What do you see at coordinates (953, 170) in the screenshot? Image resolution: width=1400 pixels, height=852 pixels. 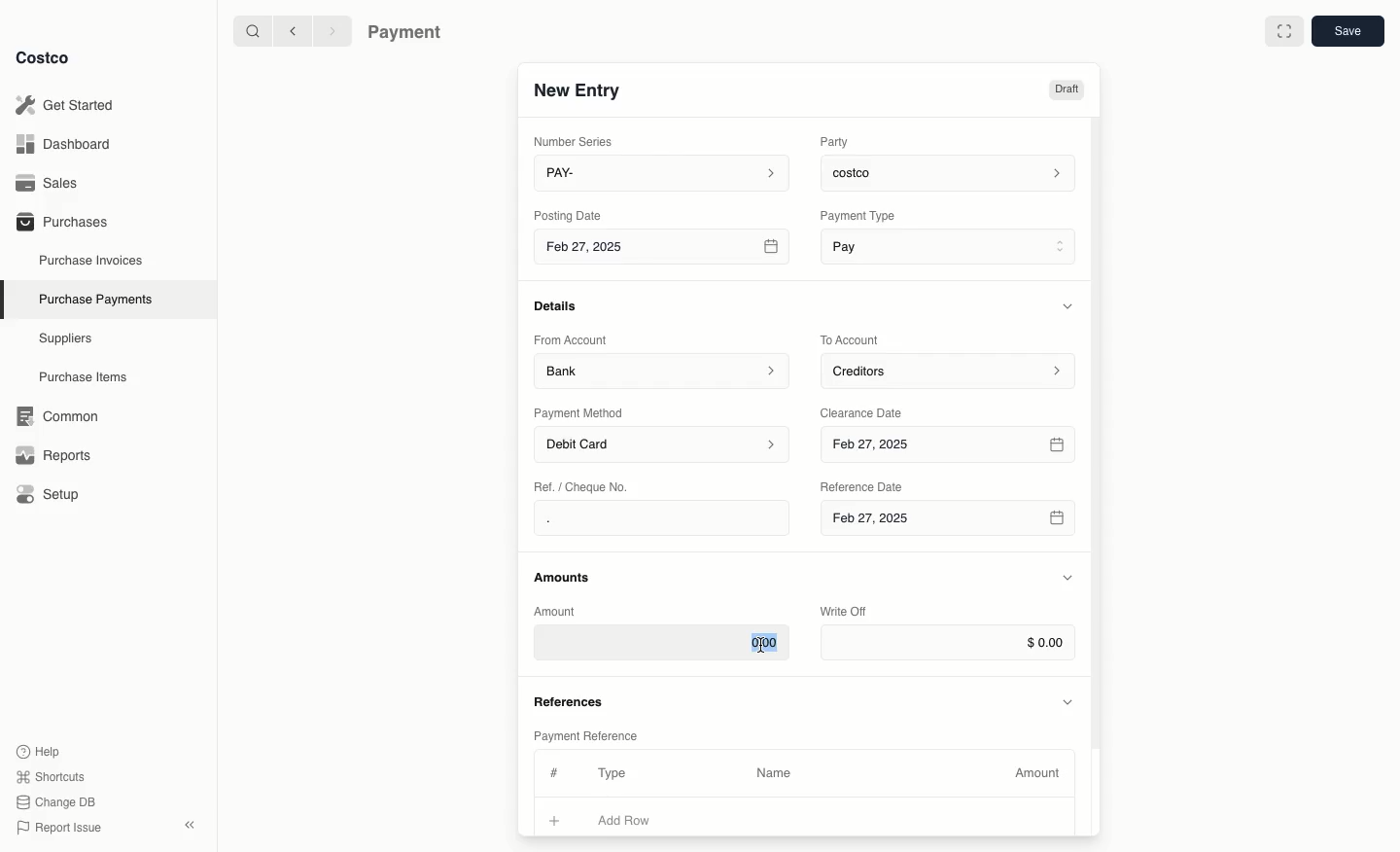 I see `costco` at bounding box center [953, 170].